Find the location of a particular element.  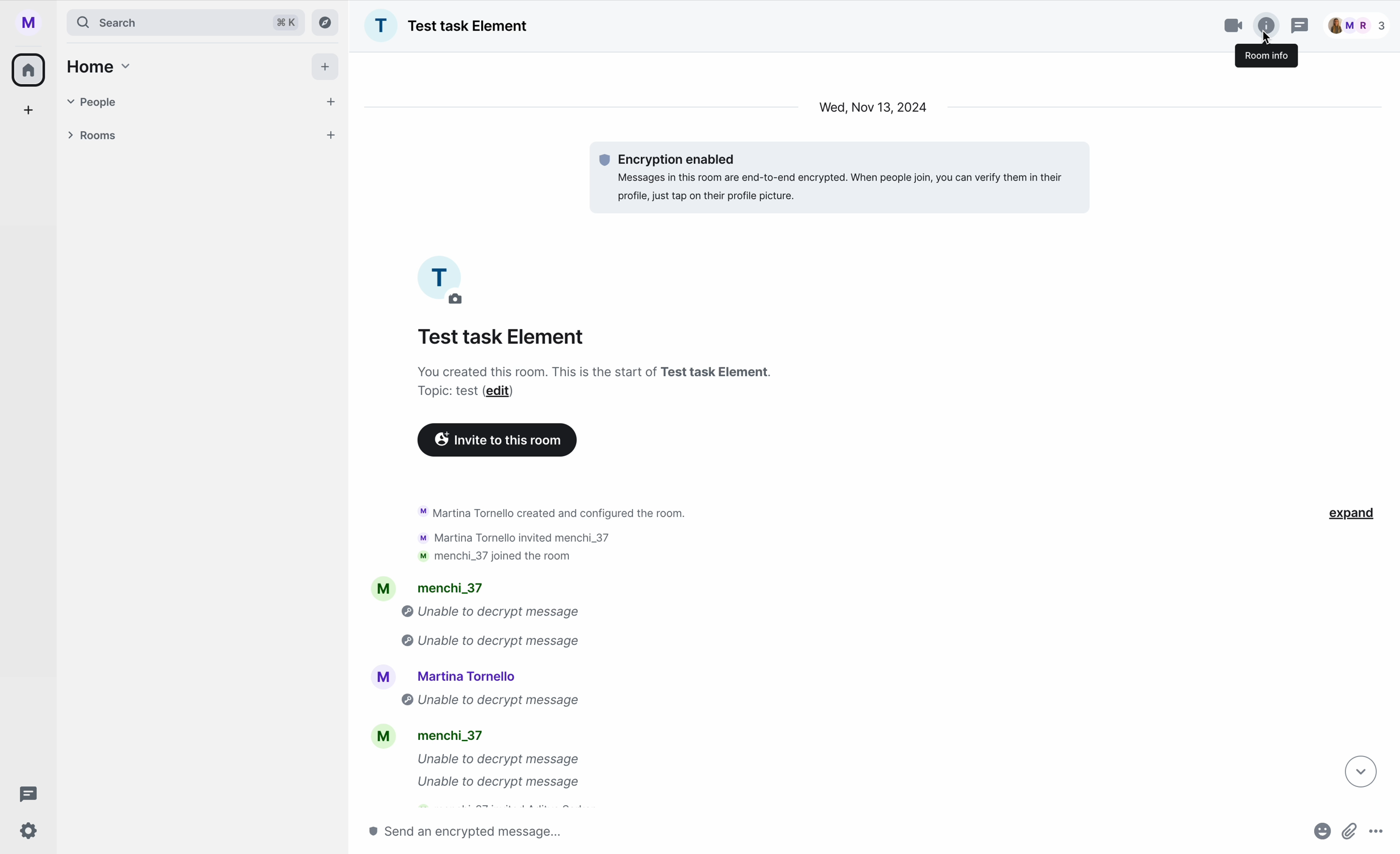

expand button is located at coordinates (1350, 514).